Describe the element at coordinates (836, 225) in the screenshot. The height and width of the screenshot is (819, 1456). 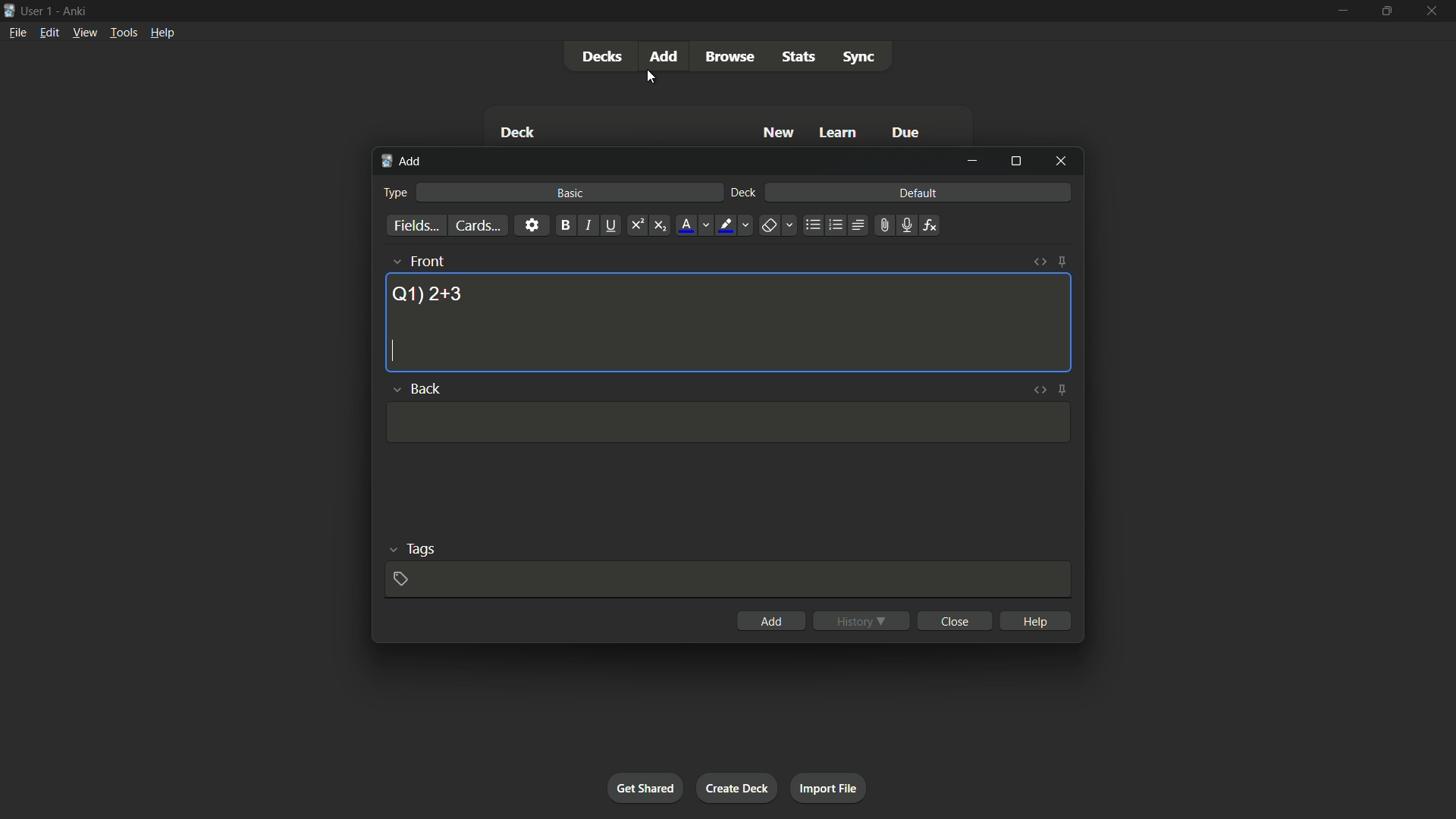
I see `ordered list` at that location.